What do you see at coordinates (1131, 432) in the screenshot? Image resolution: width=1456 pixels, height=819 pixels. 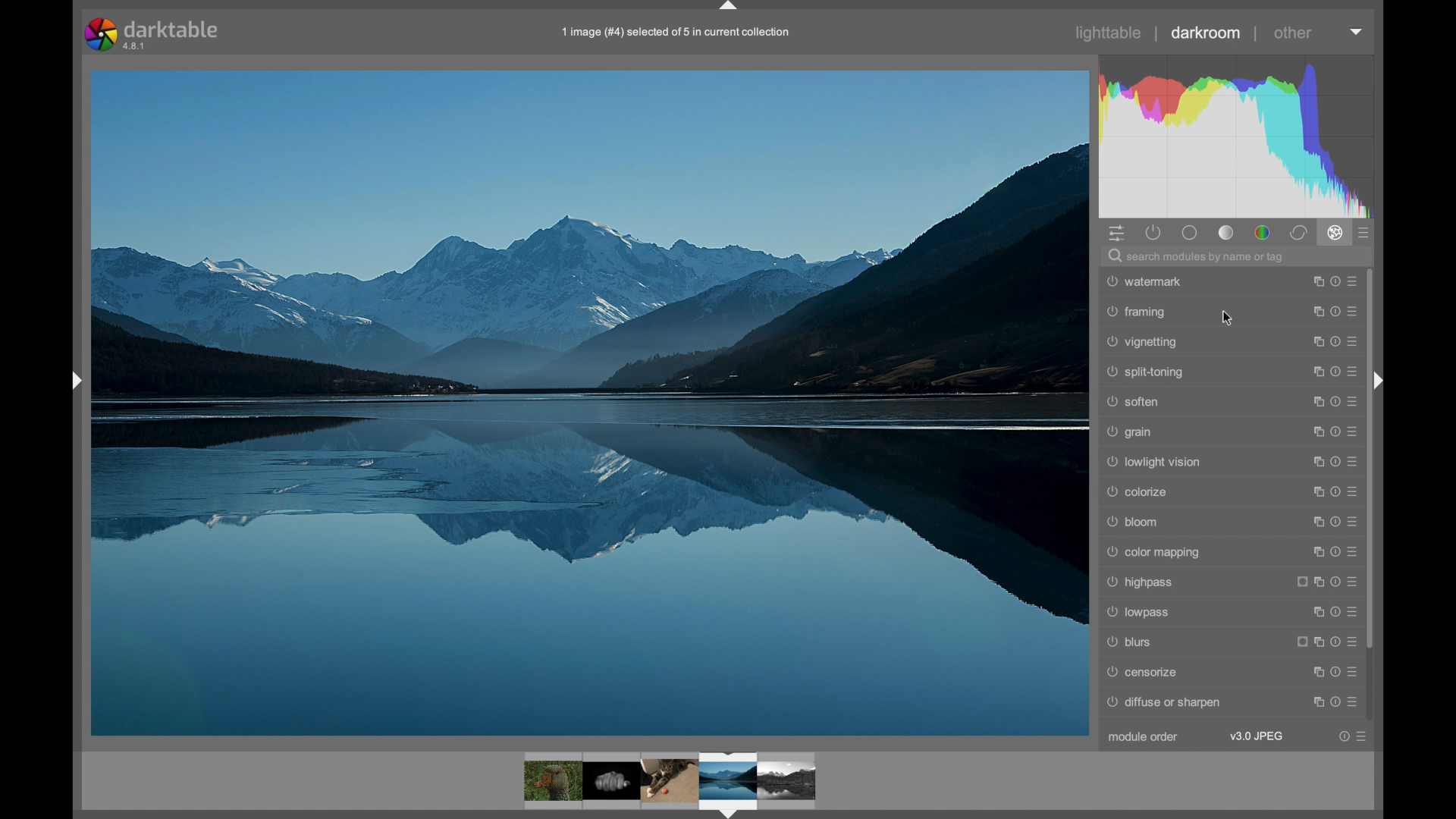 I see `grain` at bounding box center [1131, 432].